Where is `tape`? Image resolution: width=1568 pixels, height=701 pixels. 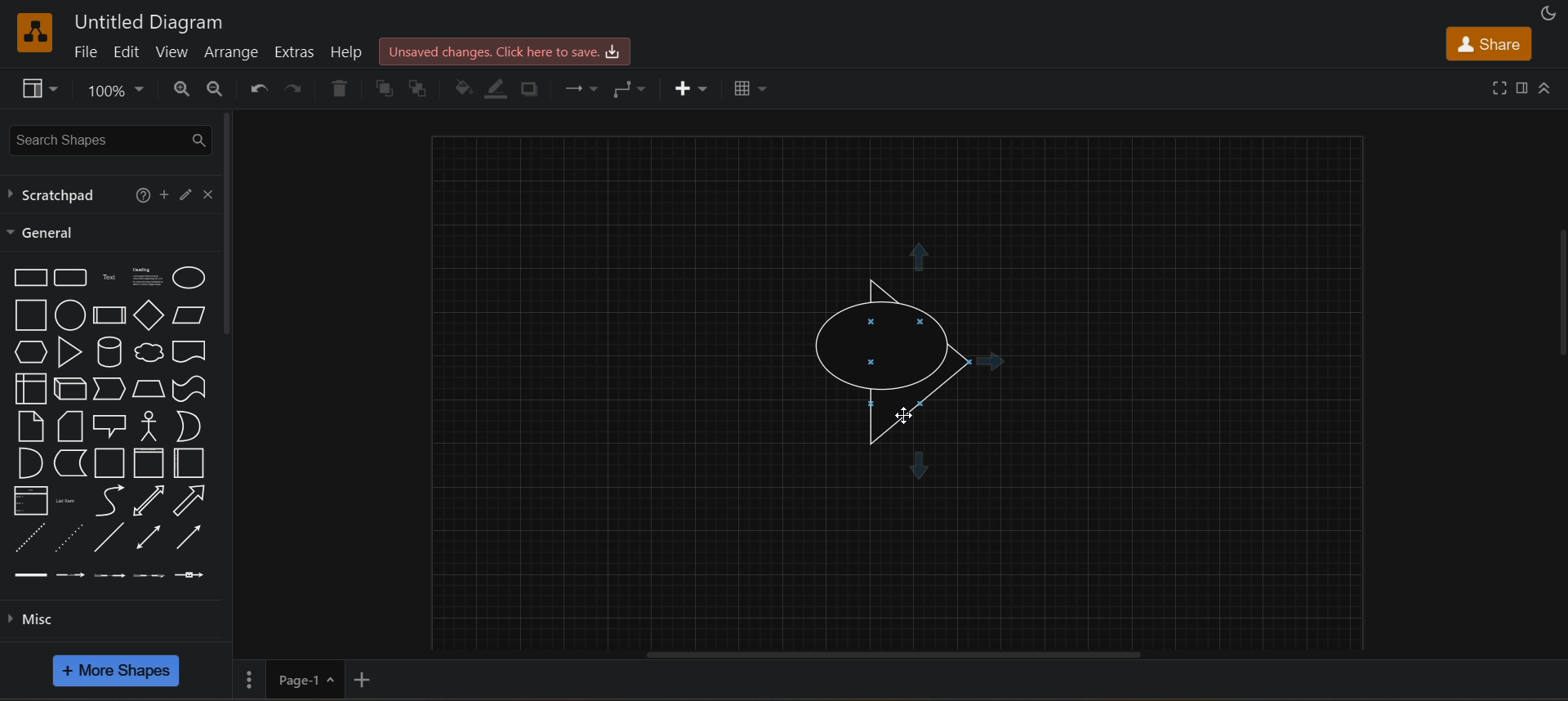 tape is located at coordinates (189, 389).